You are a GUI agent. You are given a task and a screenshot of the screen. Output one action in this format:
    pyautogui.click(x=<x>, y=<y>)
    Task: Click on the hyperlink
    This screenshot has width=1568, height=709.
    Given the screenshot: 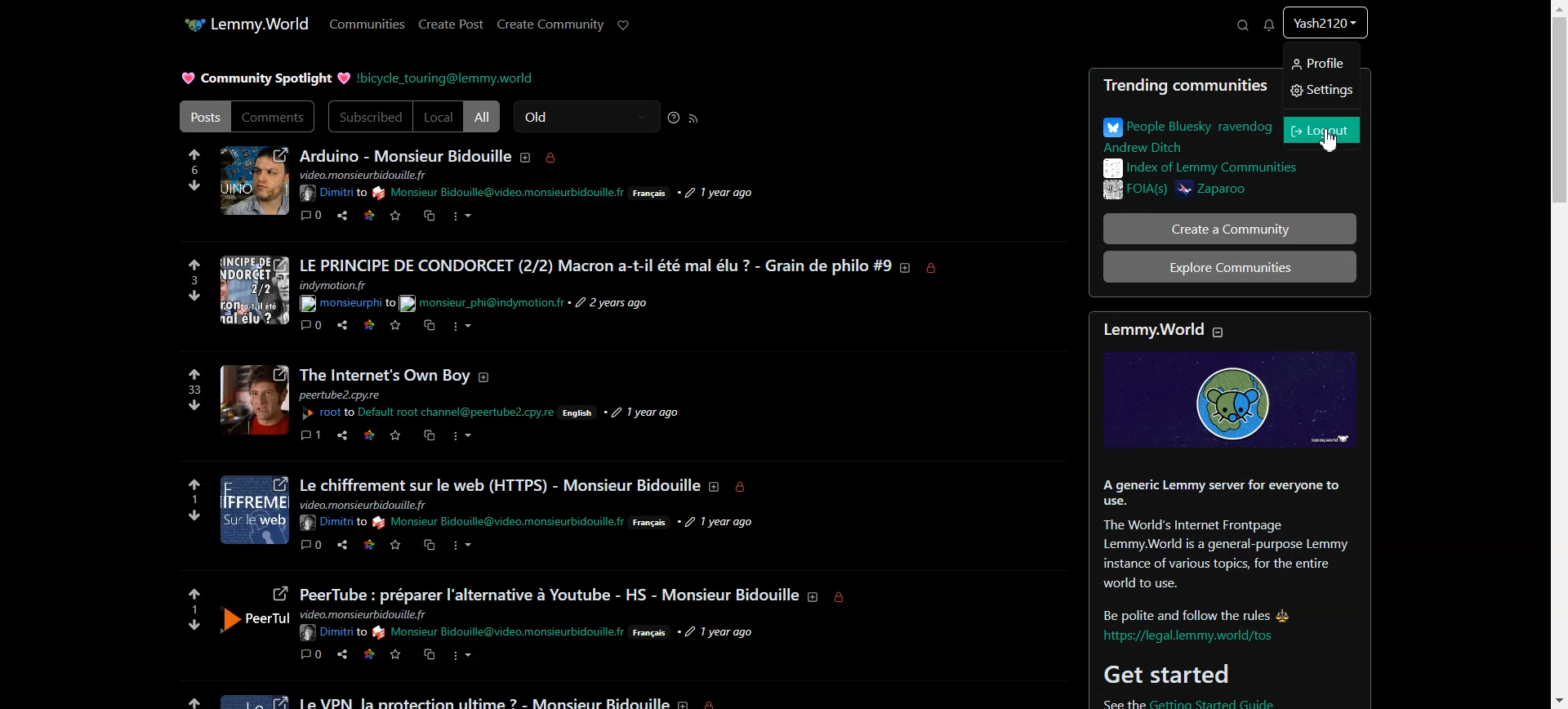 What is the action you would take?
    pyautogui.click(x=345, y=304)
    